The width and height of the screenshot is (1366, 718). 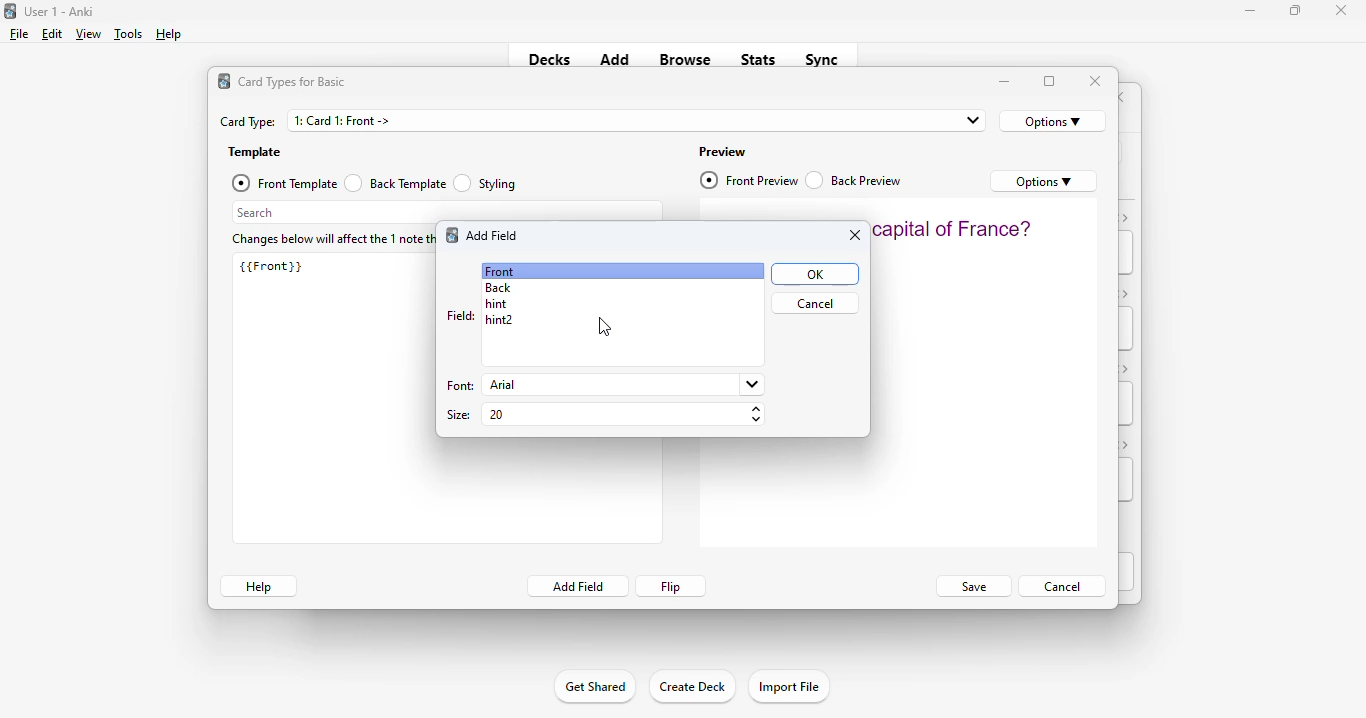 What do you see at coordinates (499, 320) in the screenshot?
I see `hint2` at bounding box center [499, 320].